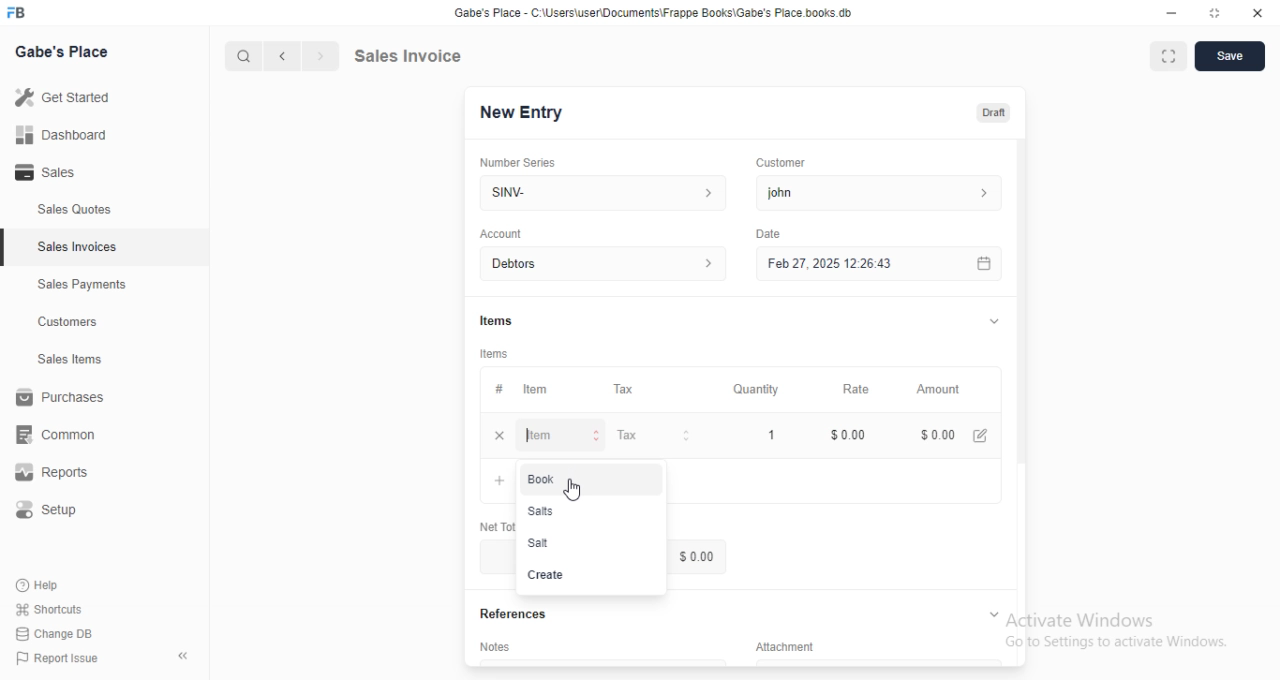 The image size is (1280, 680). Describe the element at coordinates (67, 323) in the screenshot. I see `Customers` at that location.